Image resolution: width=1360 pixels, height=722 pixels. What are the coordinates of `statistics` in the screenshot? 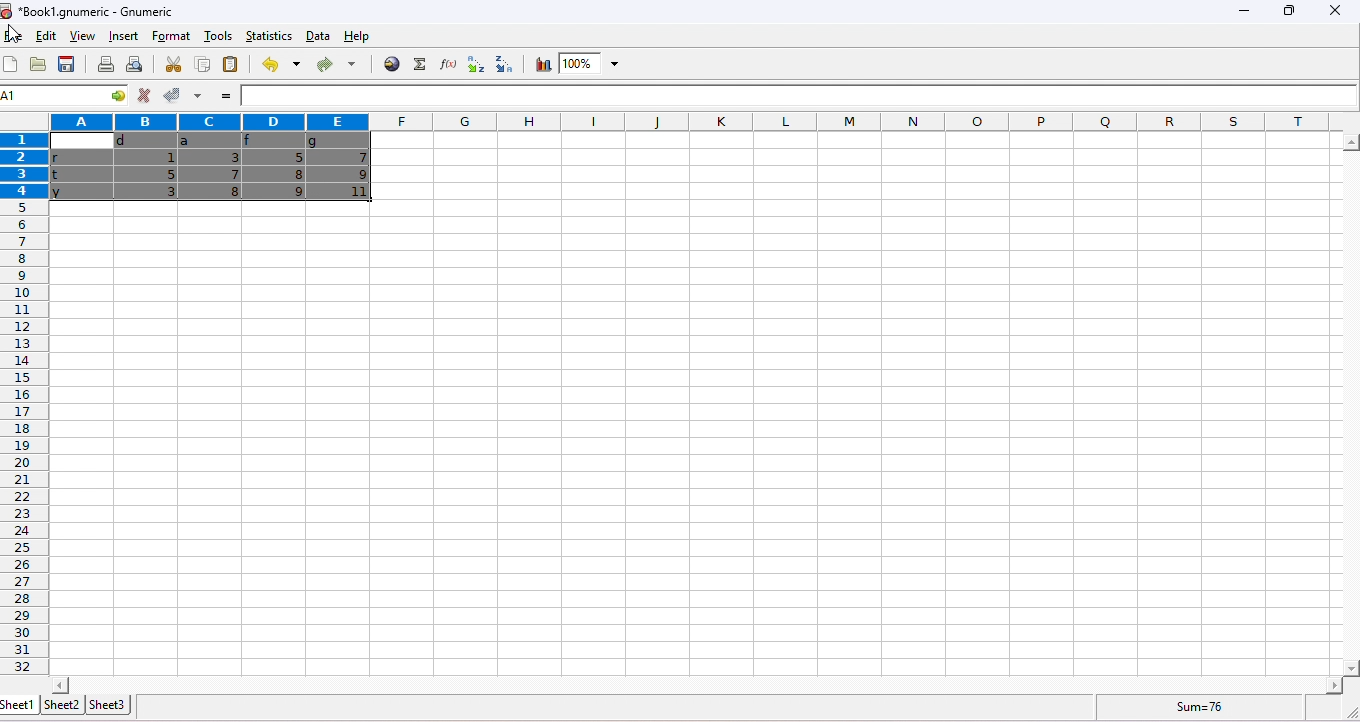 It's located at (267, 35).